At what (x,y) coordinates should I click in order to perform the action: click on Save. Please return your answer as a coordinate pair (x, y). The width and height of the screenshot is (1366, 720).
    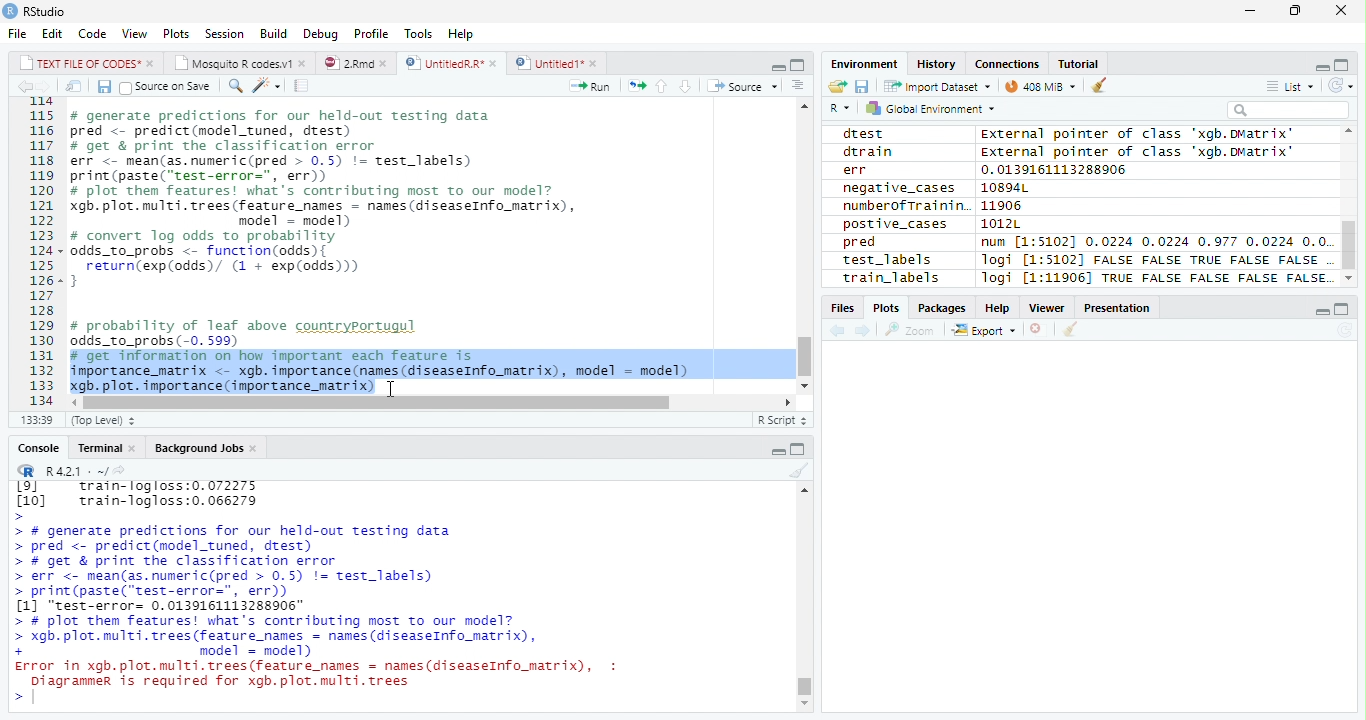
    Looking at the image, I should click on (863, 85).